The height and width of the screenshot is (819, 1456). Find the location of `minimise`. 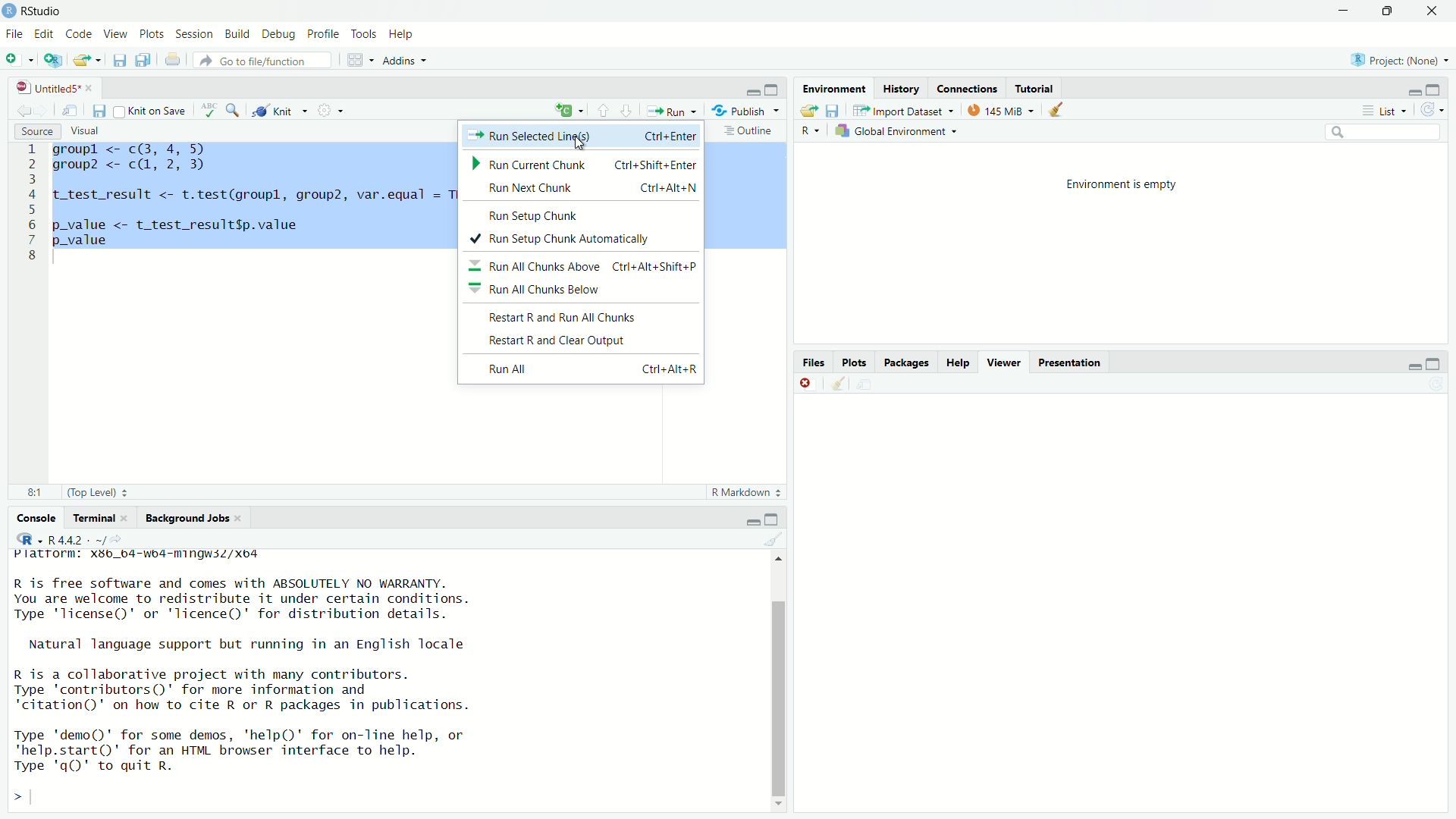

minimise is located at coordinates (754, 519).